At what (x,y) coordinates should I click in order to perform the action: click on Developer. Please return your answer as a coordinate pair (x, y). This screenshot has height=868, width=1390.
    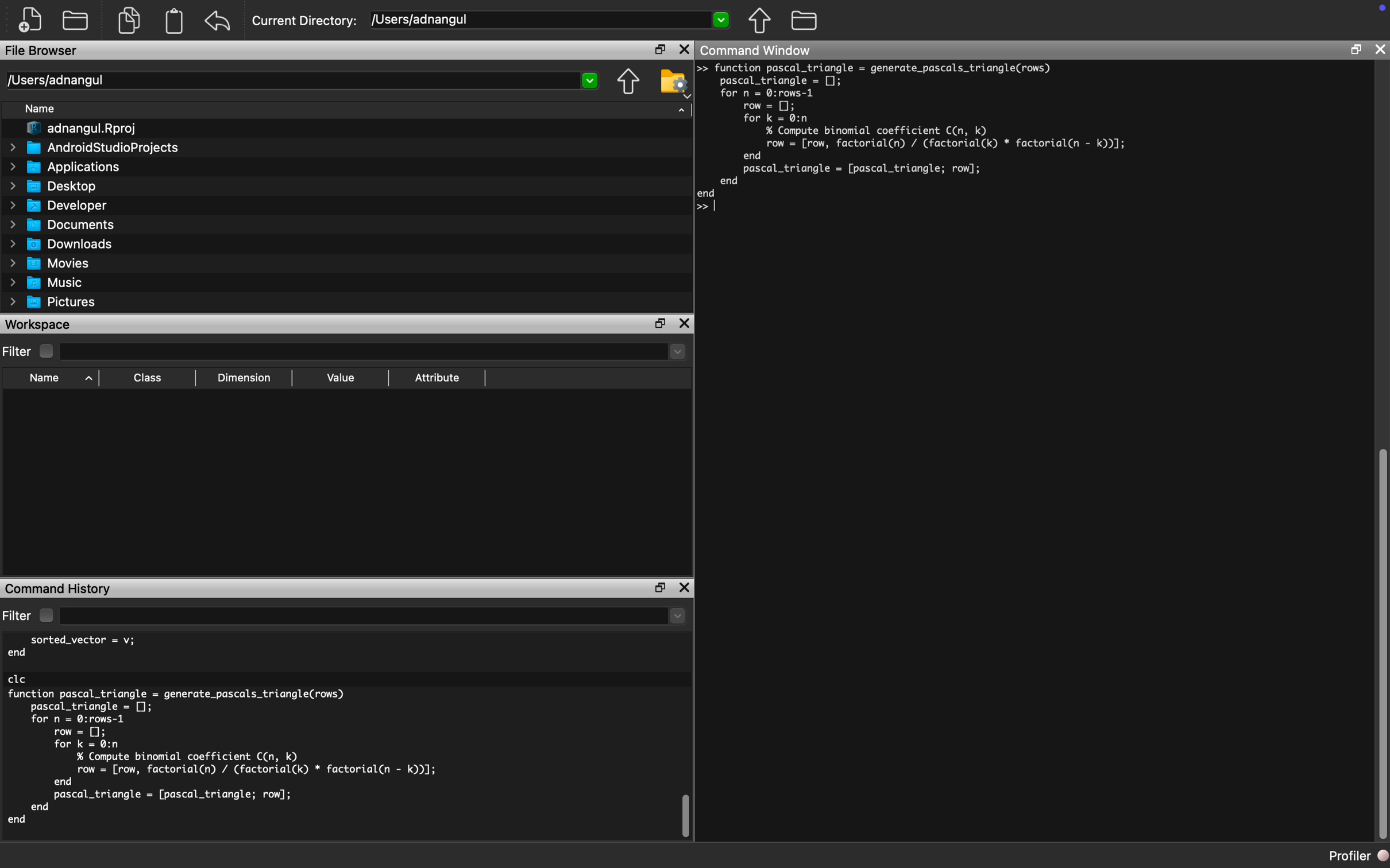
    Looking at the image, I should click on (59, 206).